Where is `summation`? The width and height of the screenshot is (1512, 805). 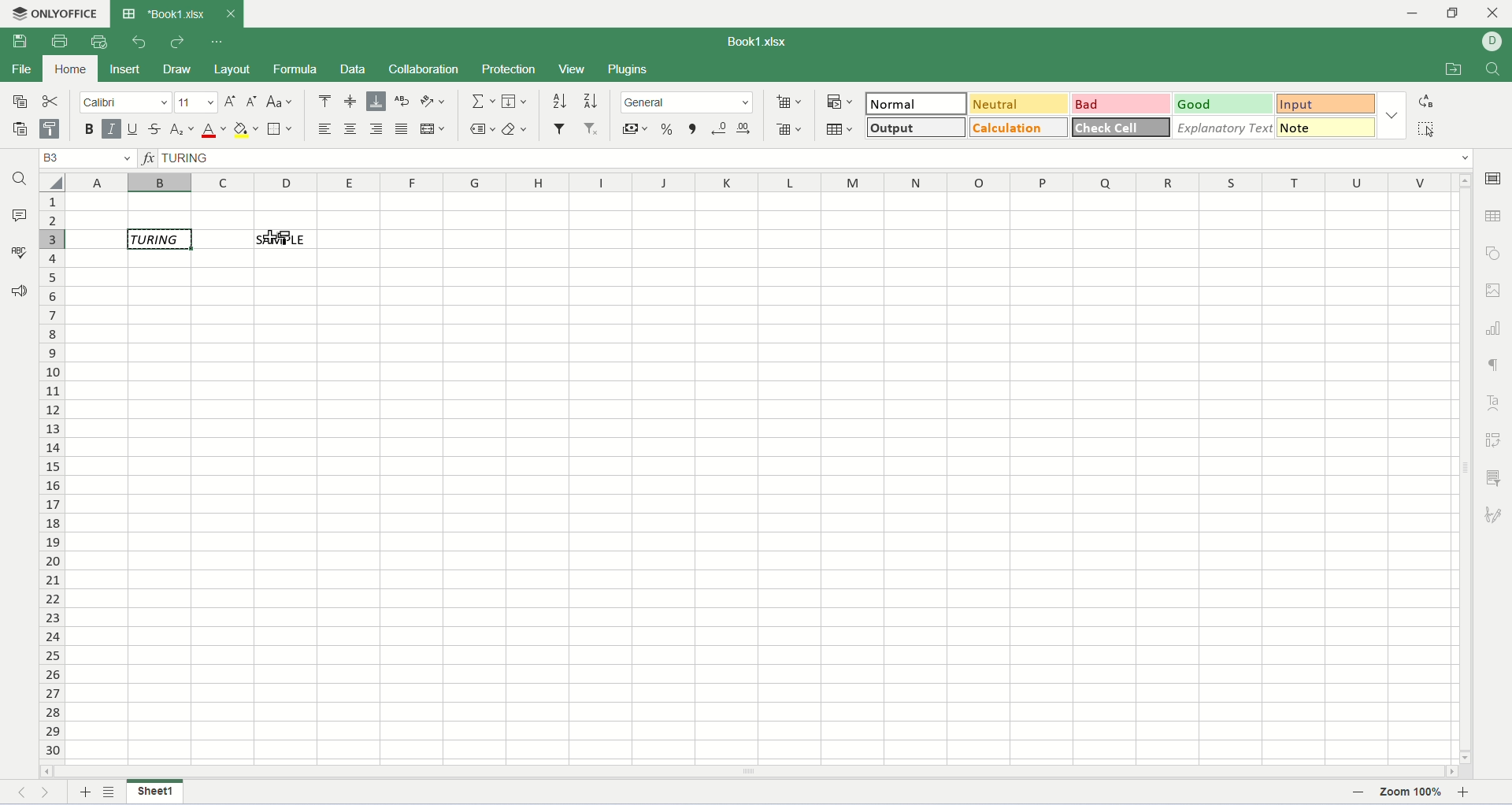 summation is located at coordinates (484, 102).